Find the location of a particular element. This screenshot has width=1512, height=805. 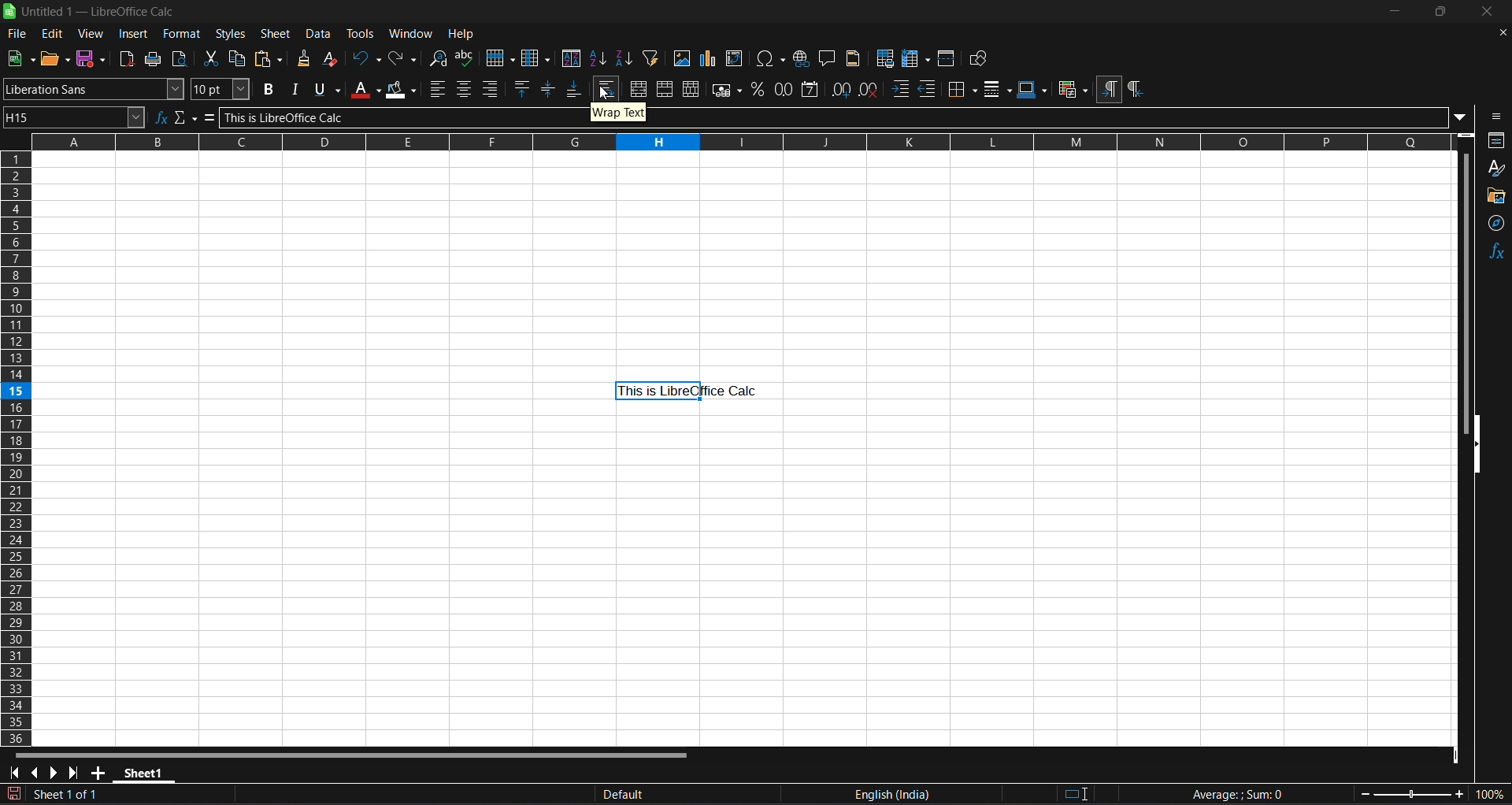

border styles is located at coordinates (997, 89).